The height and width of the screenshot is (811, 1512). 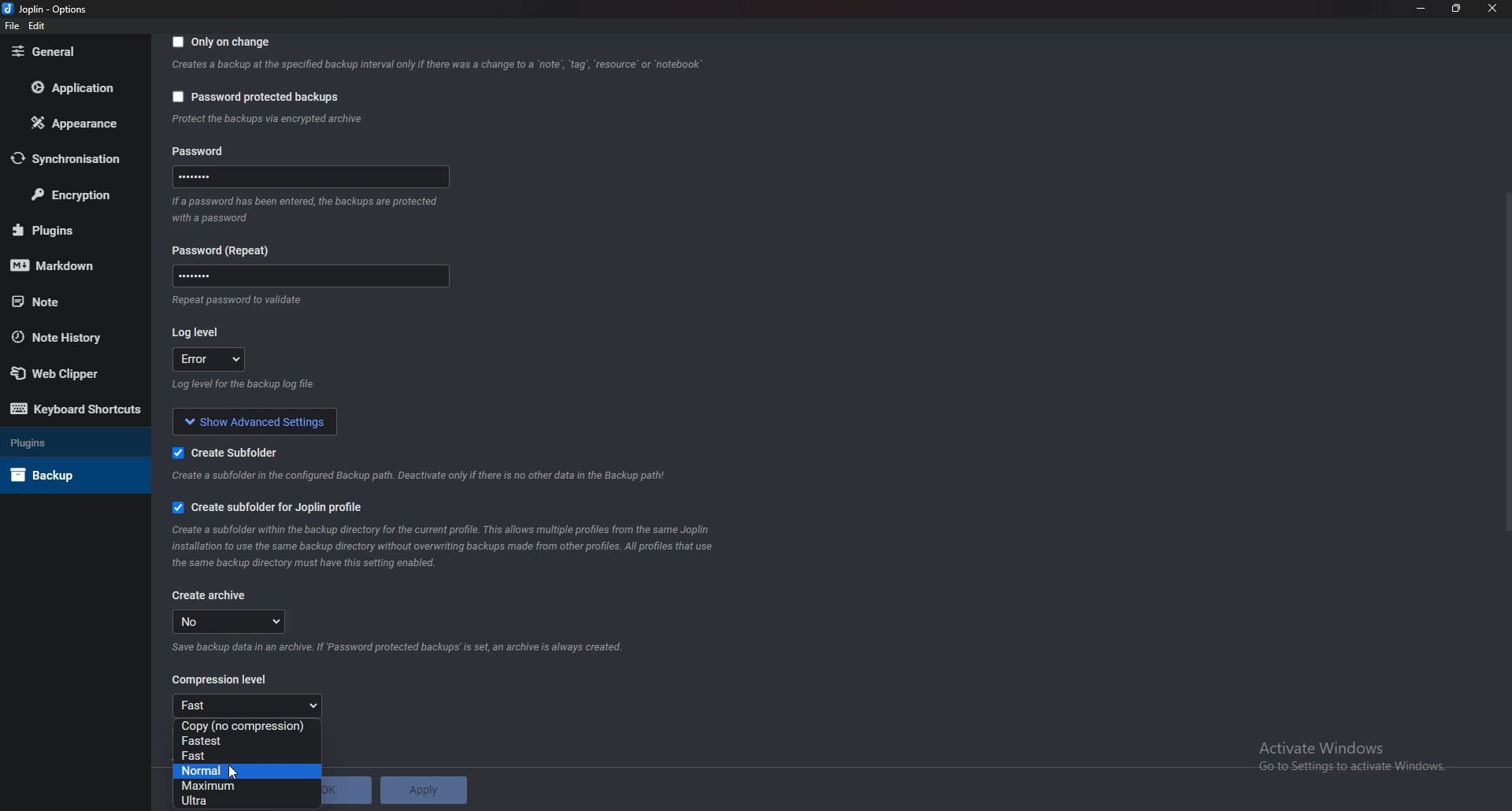 What do you see at coordinates (234, 621) in the screenshot?
I see `no` at bounding box center [234, 621].